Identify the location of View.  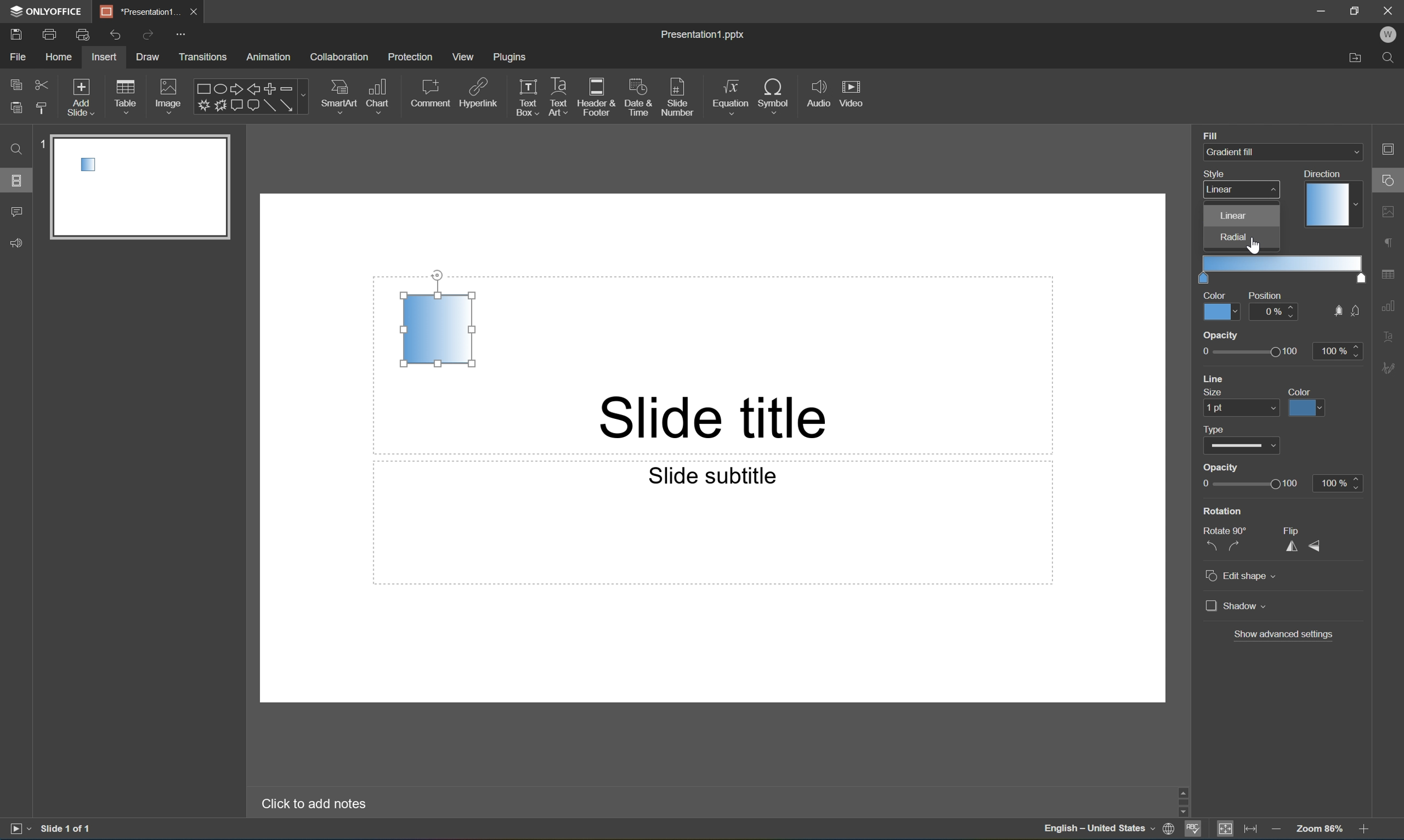
(464, 57).